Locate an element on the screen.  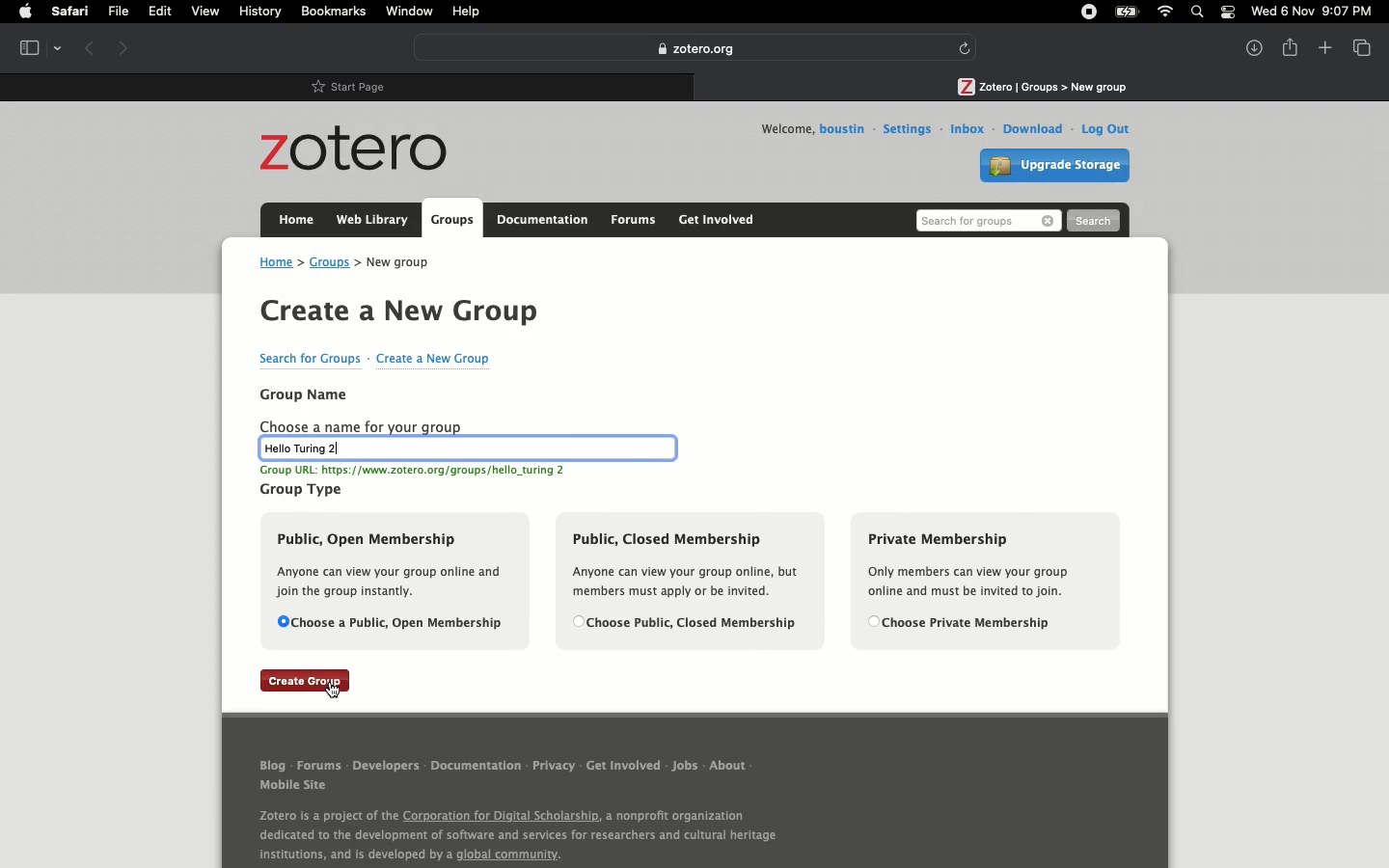
New tab is located at coordinates (1323, 48).